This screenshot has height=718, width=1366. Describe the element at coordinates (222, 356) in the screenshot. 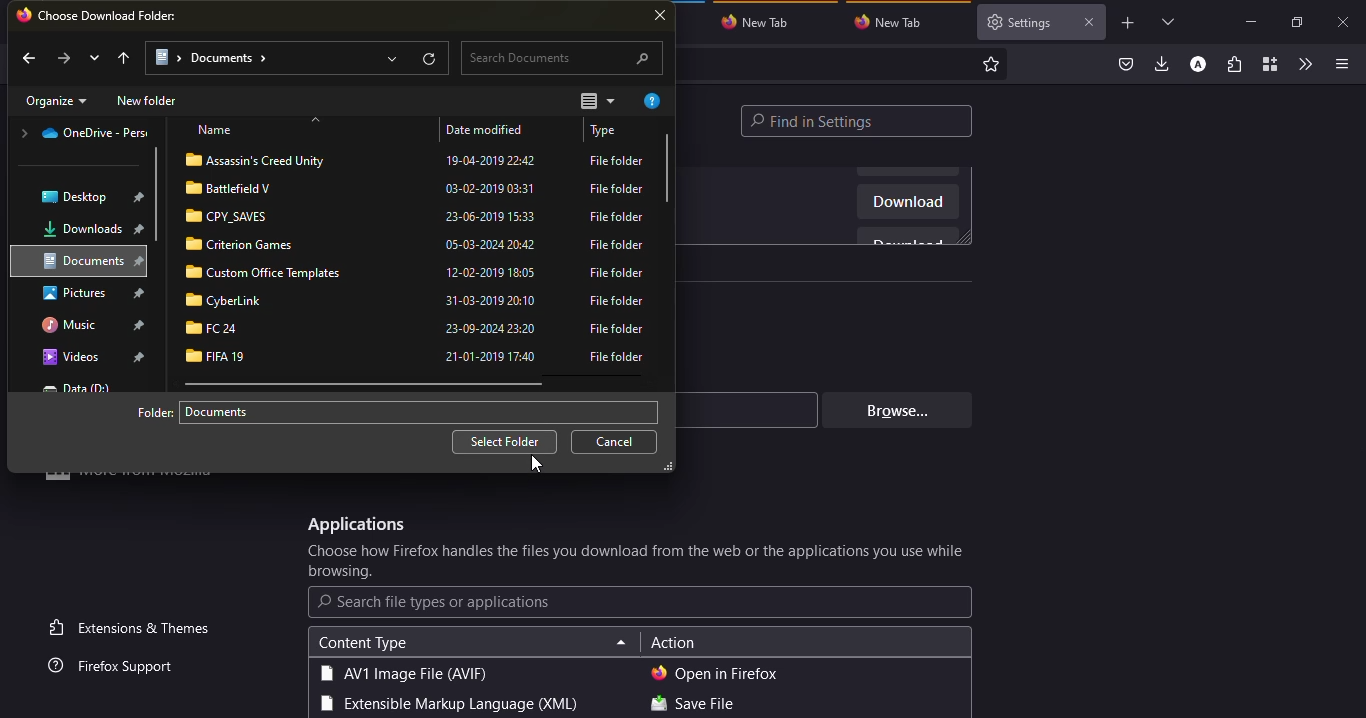

I see `folder` at that location.